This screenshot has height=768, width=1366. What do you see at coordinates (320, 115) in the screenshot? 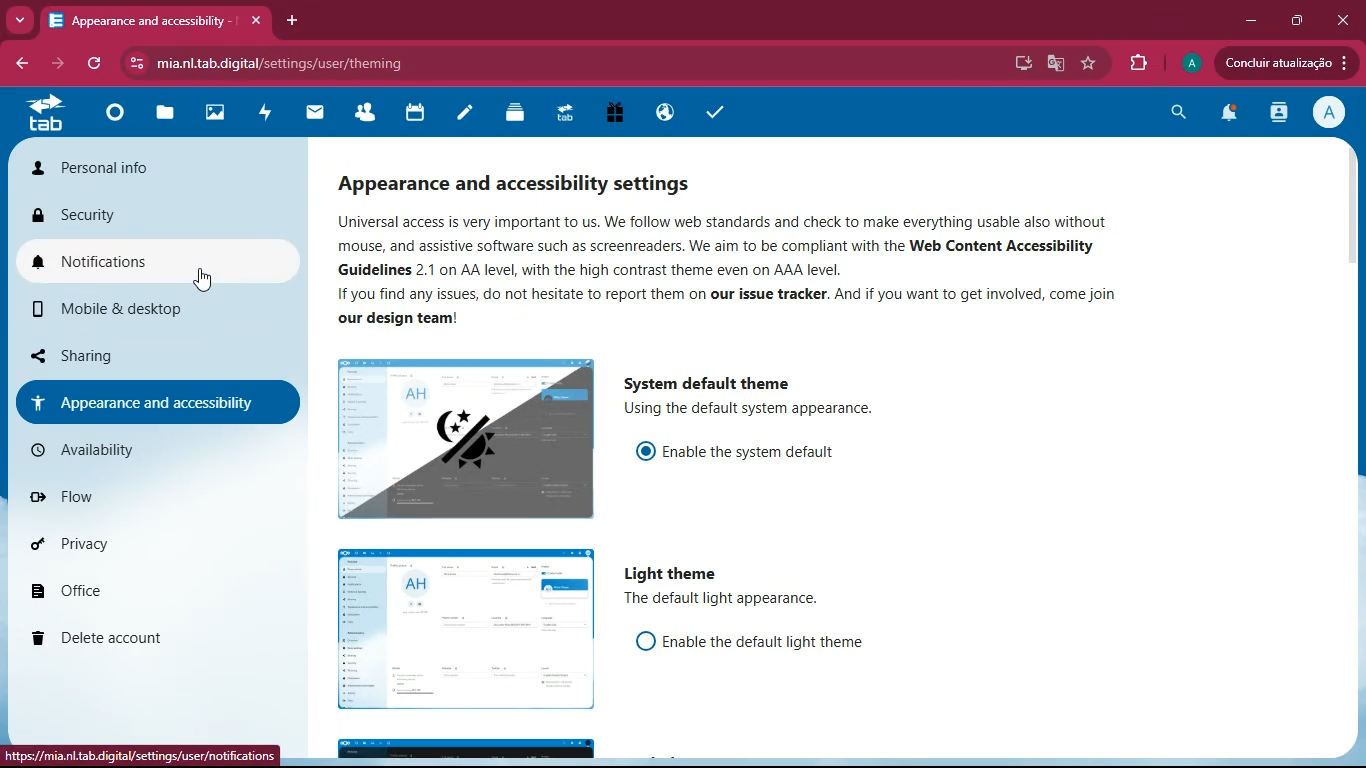
I see `mail` at bounding box center [320, 115].